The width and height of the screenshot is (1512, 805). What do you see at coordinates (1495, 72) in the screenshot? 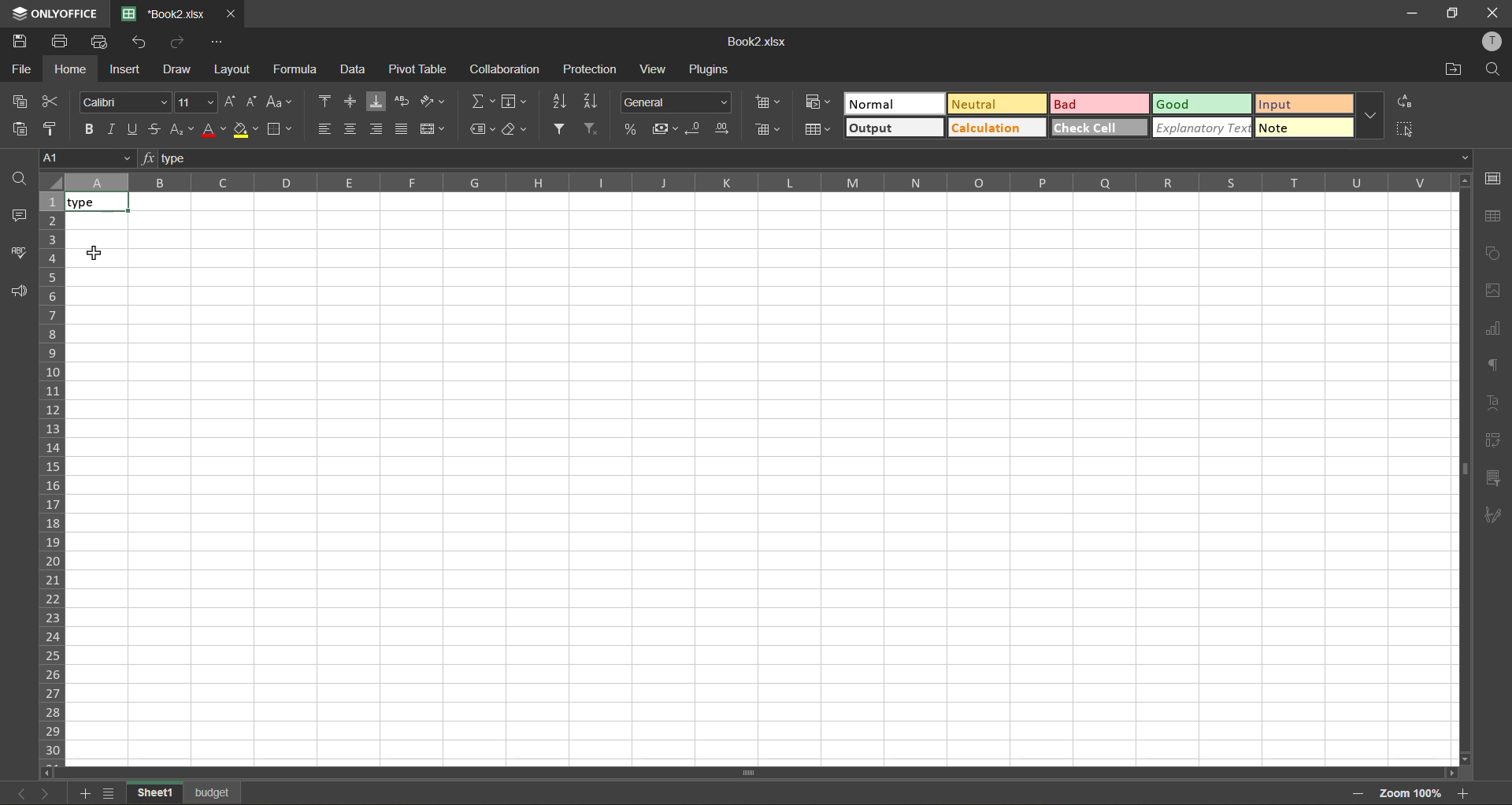
I see `find` at bounding box center [1495, 72].